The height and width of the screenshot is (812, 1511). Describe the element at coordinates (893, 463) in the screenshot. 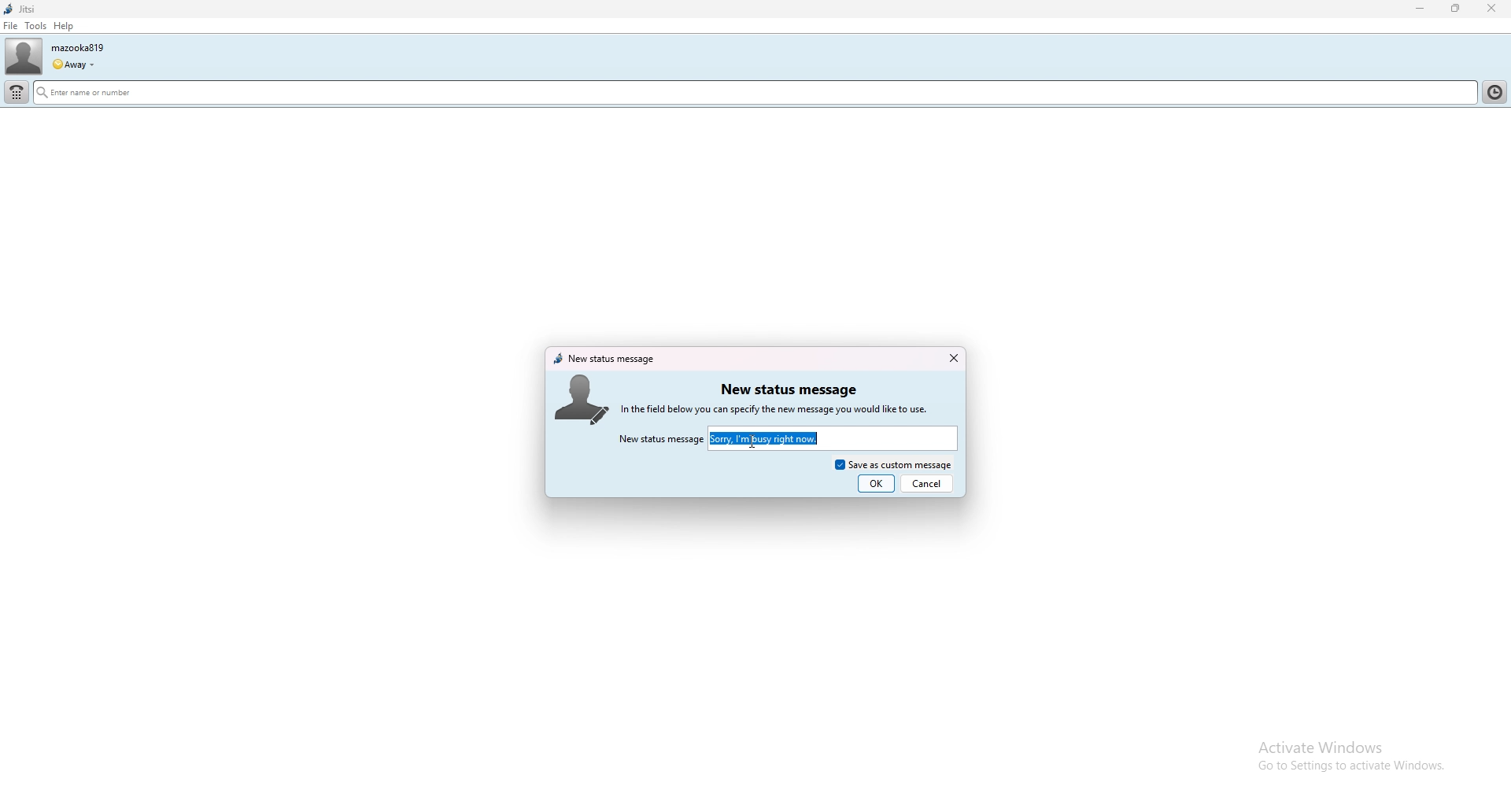

I see `save as custom message` at that location.